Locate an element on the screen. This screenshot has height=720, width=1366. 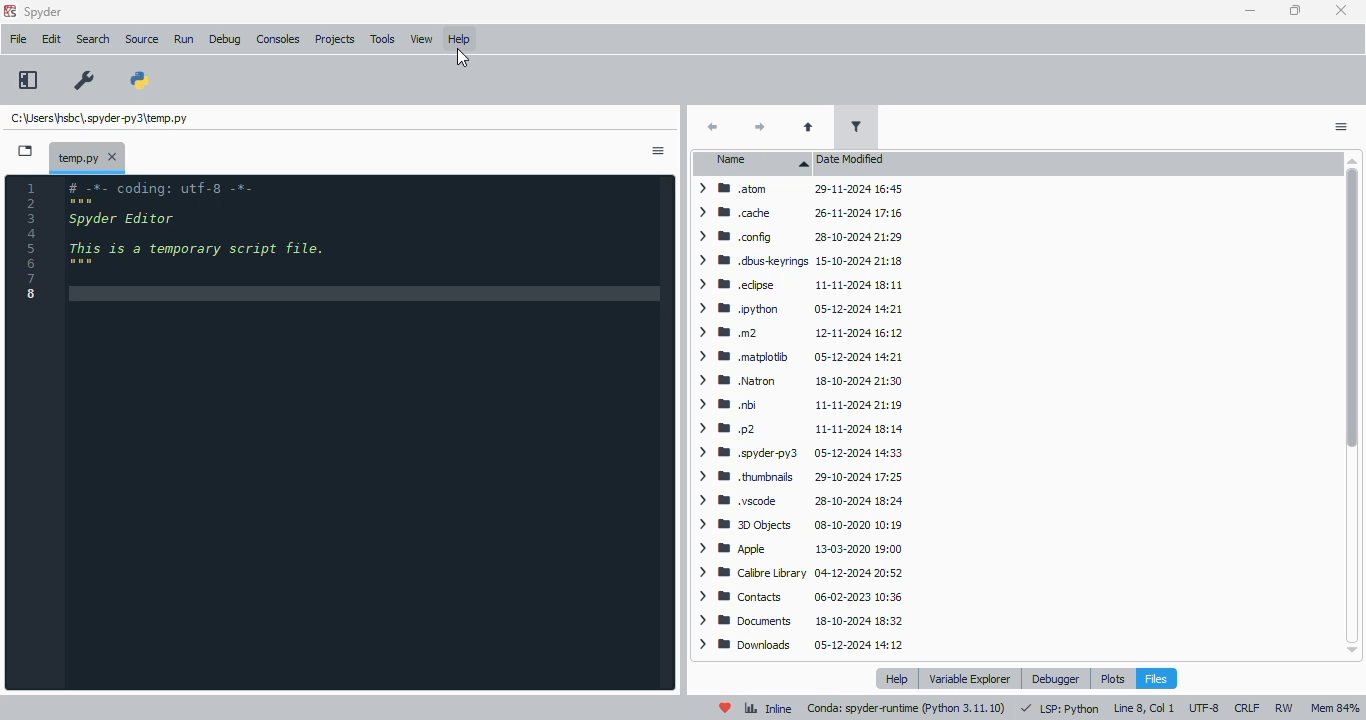
plots is located at coordinates (1113, 678).